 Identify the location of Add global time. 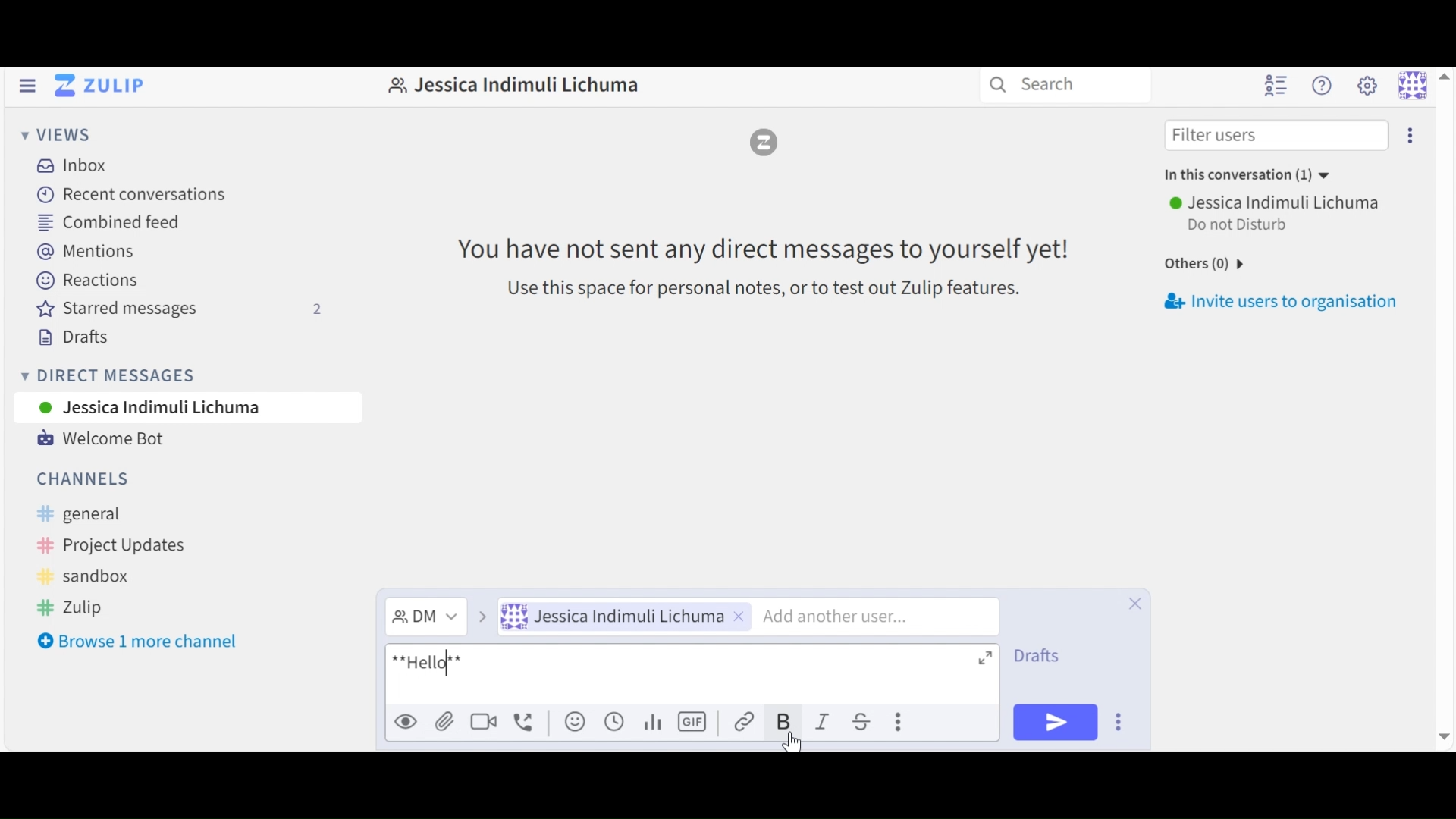
(613, 721).